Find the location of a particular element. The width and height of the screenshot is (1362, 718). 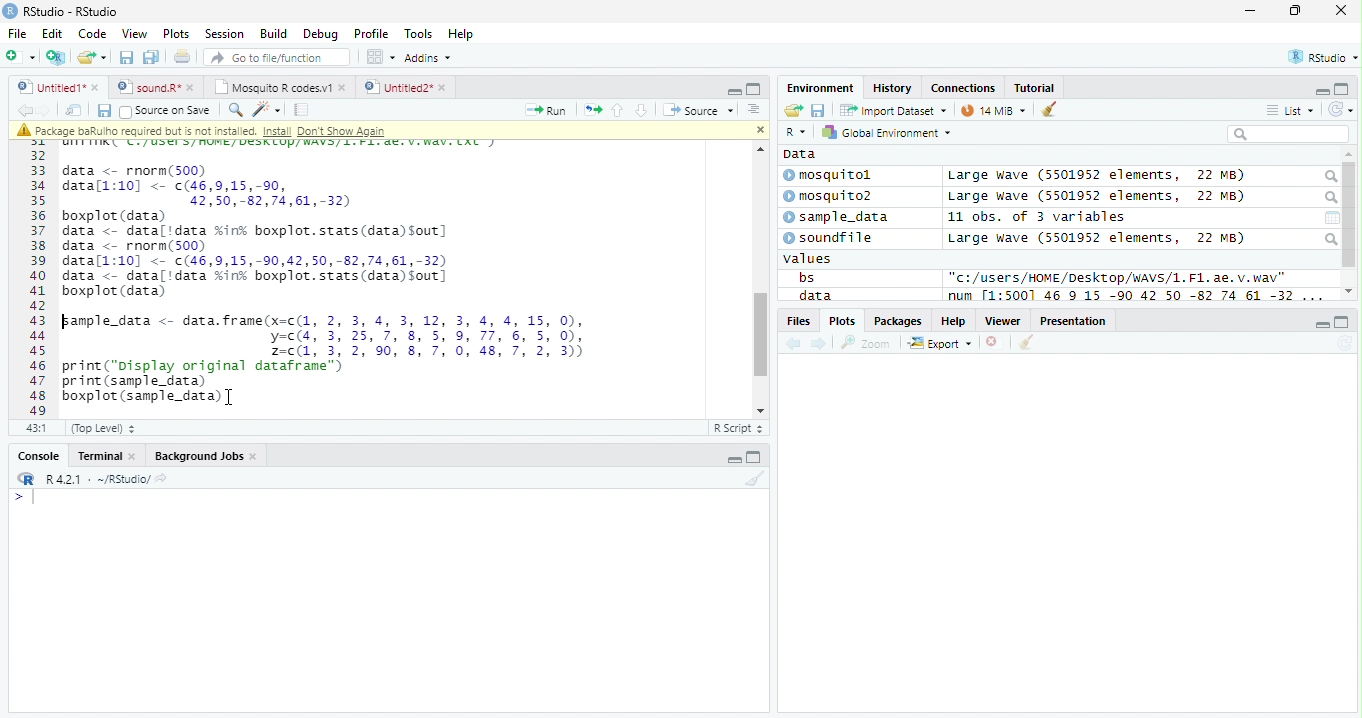

Presentation is located at coordinates (1073, 320).